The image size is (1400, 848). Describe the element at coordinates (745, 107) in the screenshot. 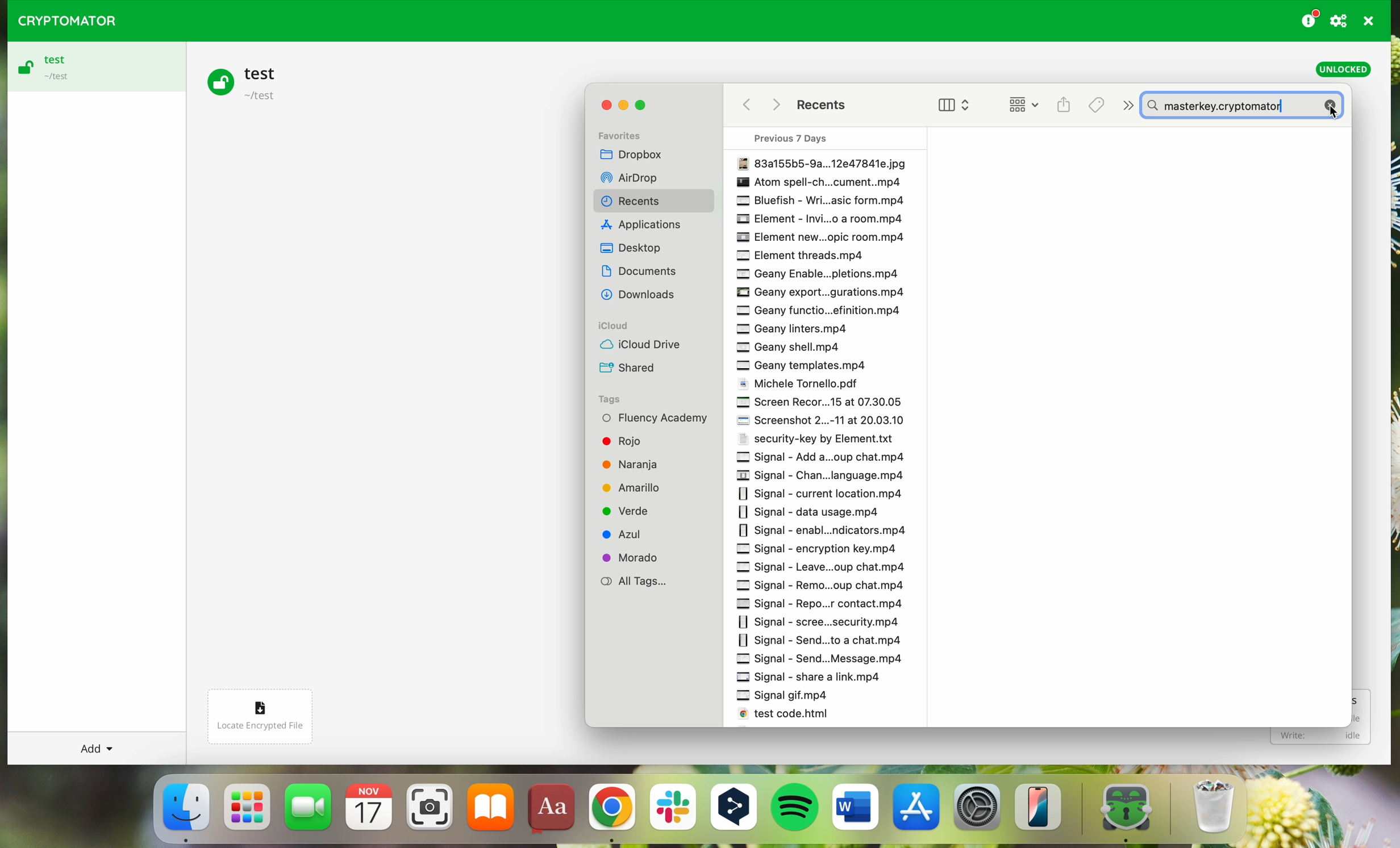

I see `back` at that location.